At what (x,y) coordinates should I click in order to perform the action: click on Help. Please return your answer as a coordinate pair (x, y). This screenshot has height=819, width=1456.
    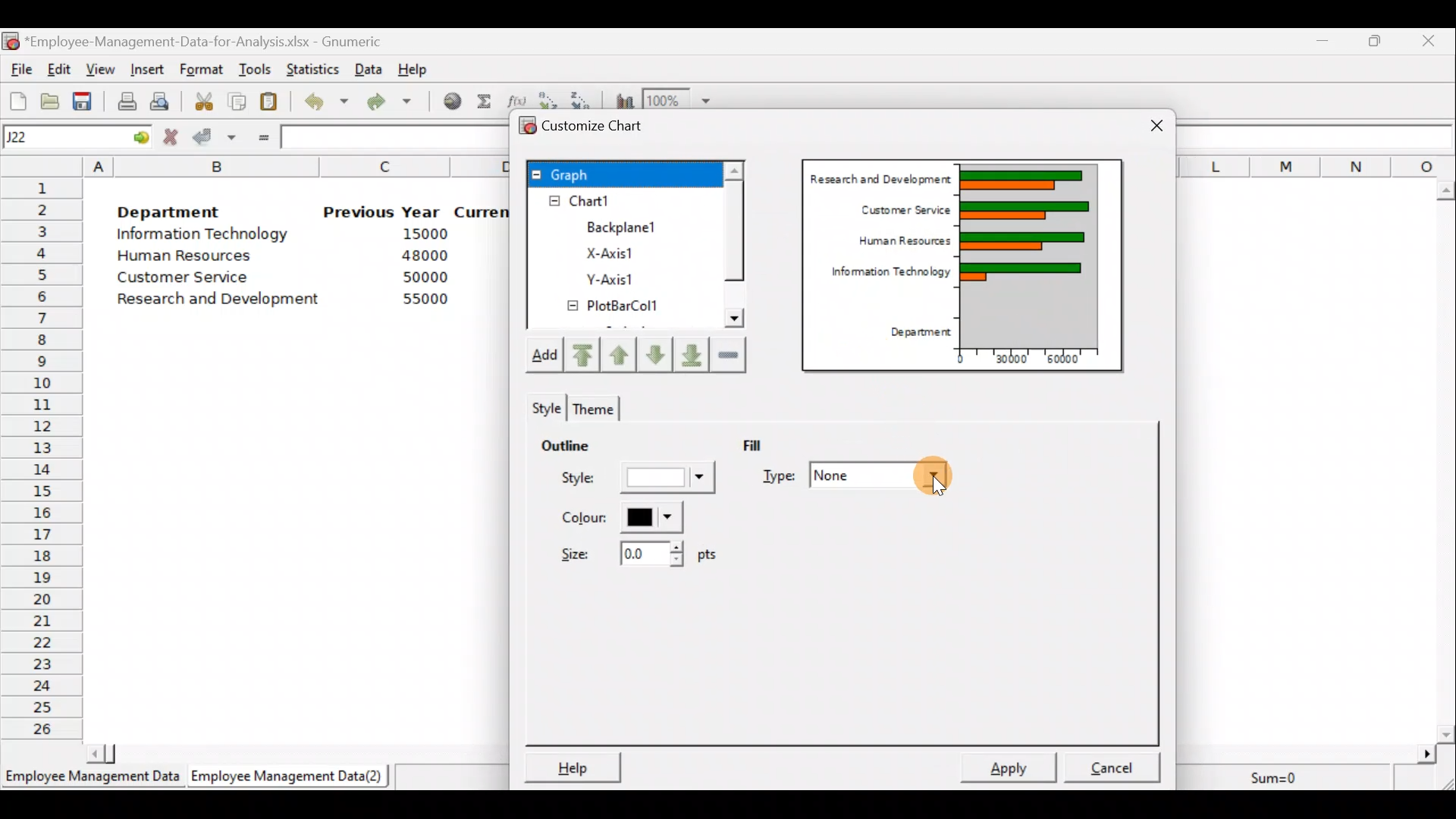
    Looking at the image, I should click on (413, 66).